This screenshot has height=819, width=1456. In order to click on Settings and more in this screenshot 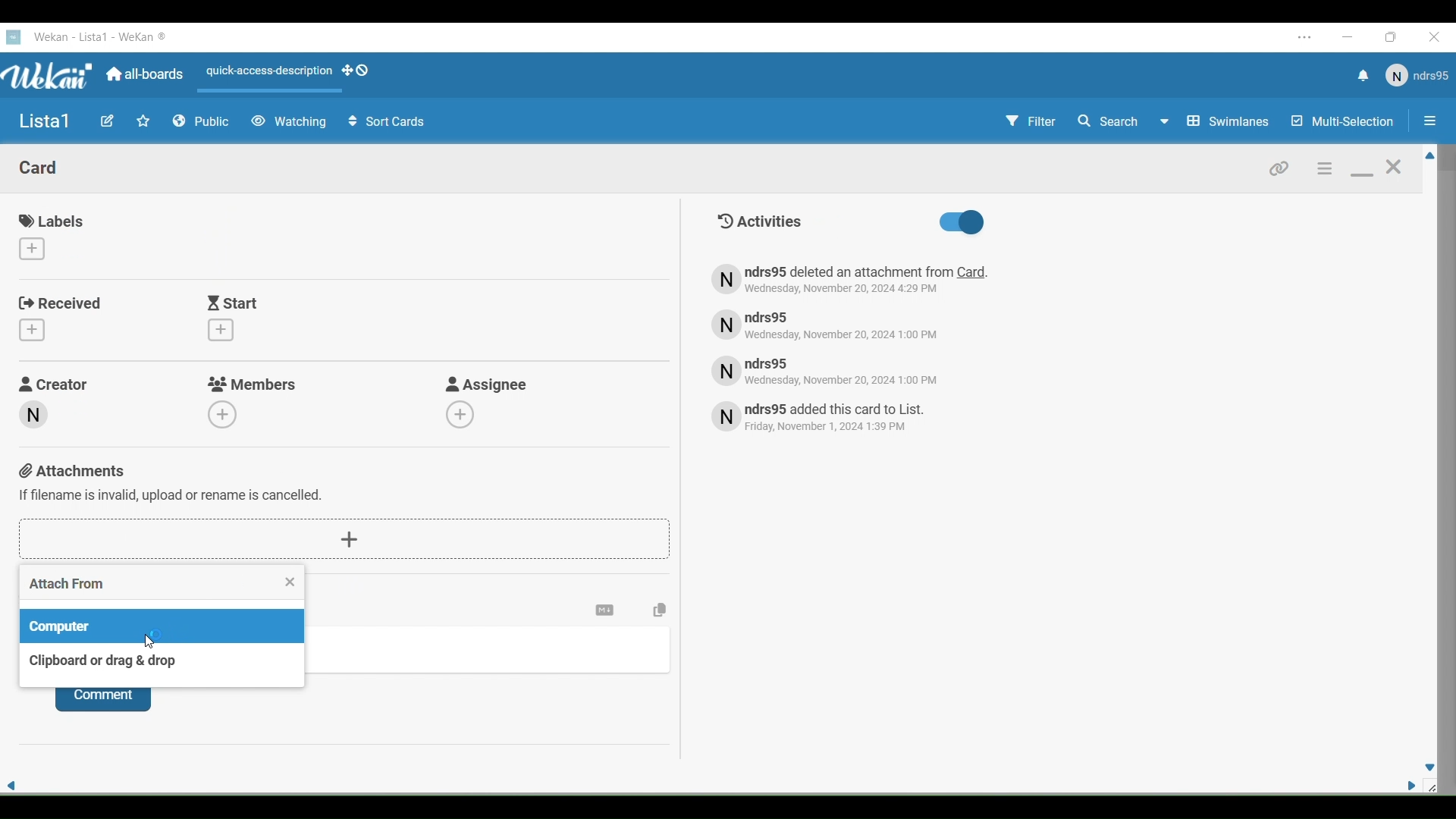, I will do `click(1306, 37)`.